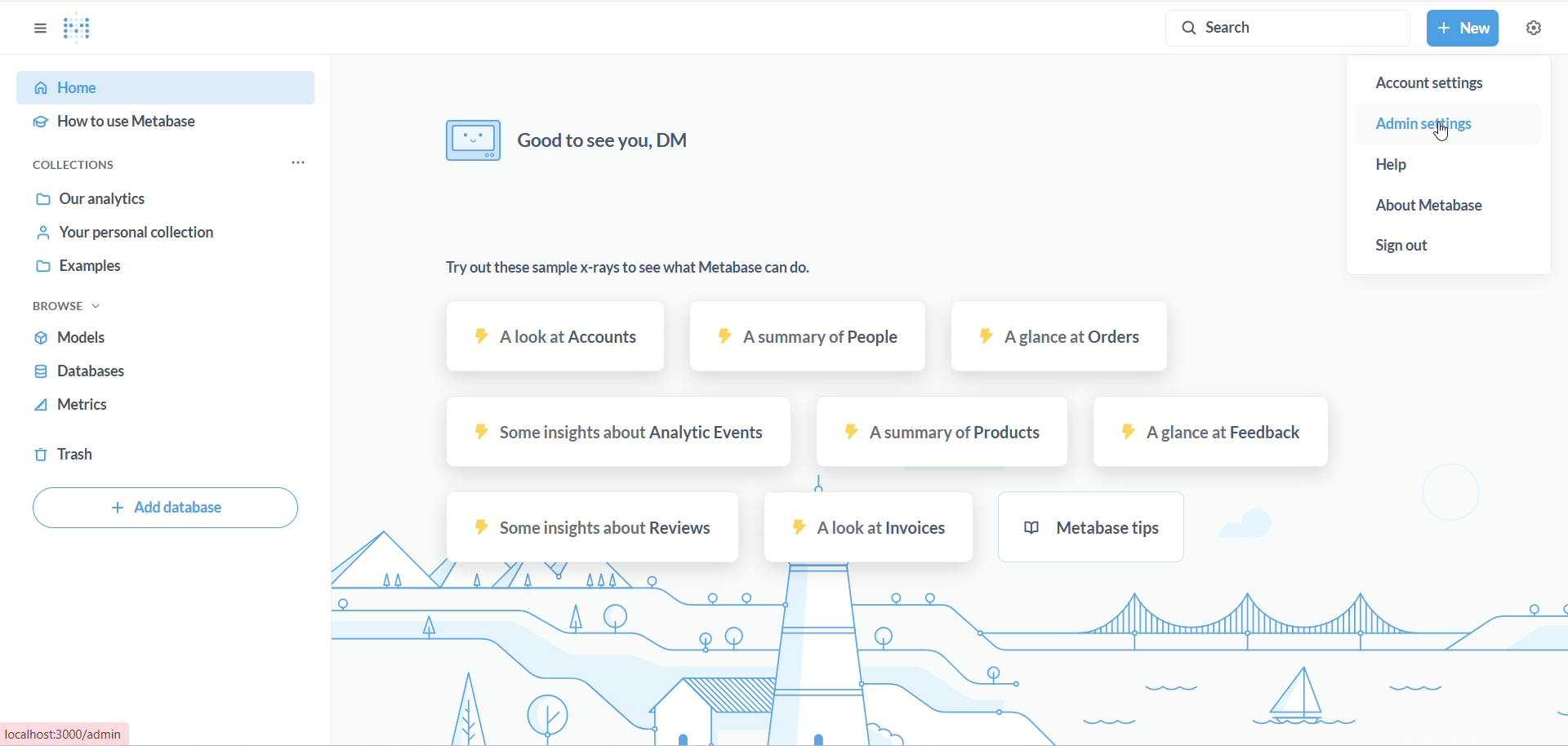 The image size is (1568, 746). What do you see at coordinates (1423, 123) in the screenshot?
I see `admin settings` at bounding box center [1423, 123].